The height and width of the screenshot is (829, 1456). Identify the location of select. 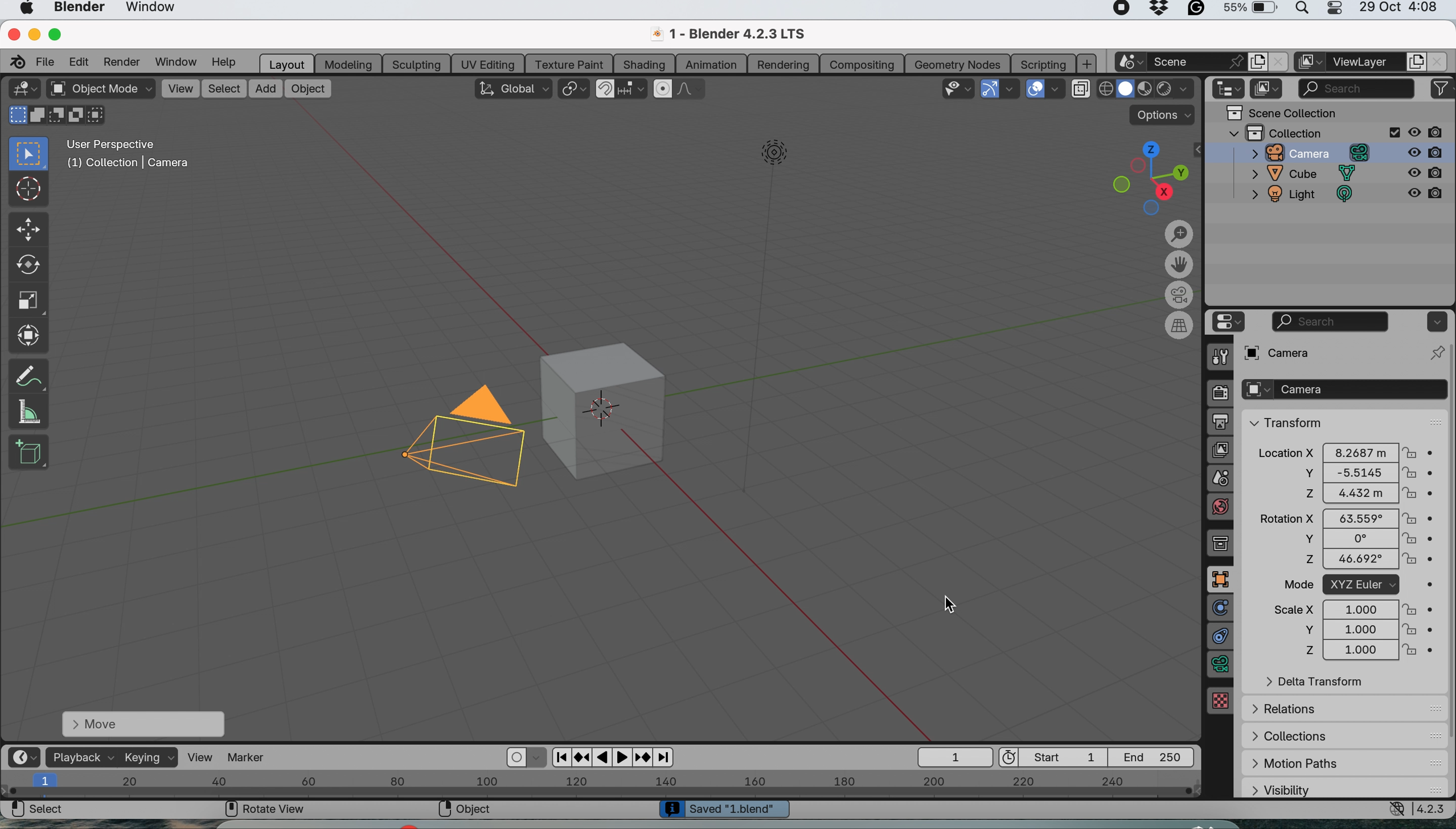
(224, 89).